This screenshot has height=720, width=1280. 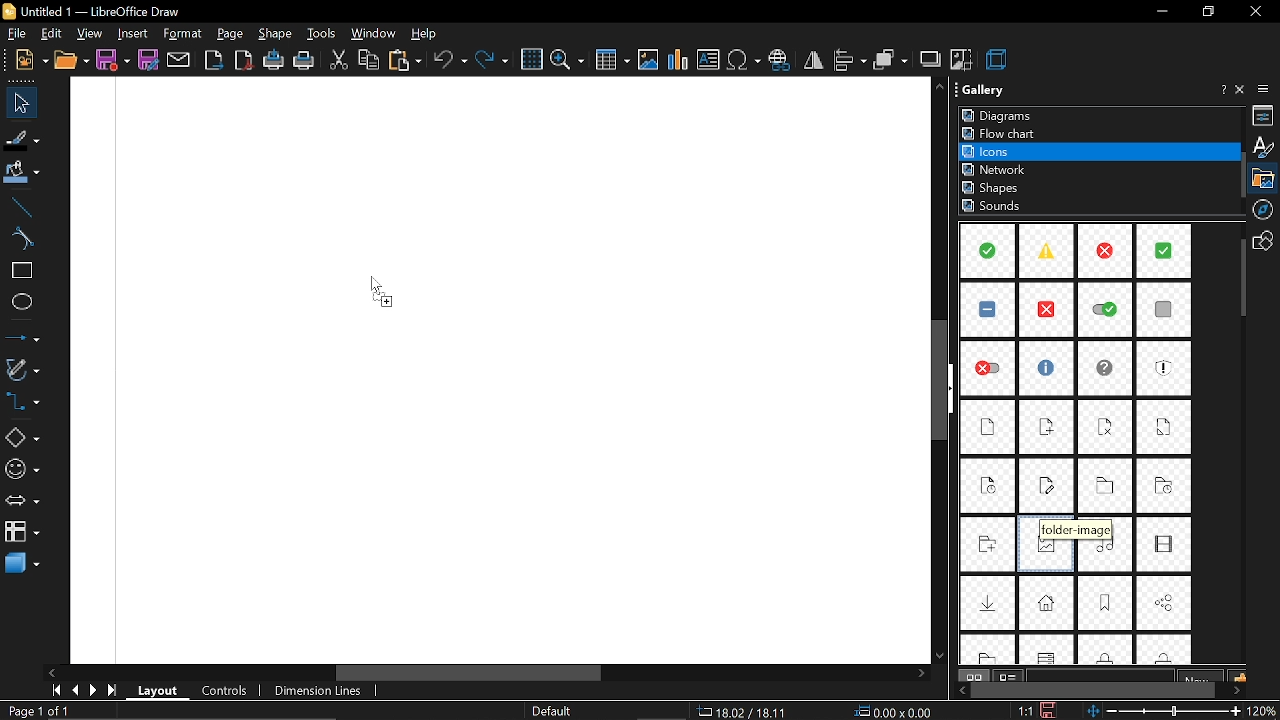 What do you see at coordinates (22, 471) in the screenshot?
I see `symbol shapes` at bounding box center [22, 471].